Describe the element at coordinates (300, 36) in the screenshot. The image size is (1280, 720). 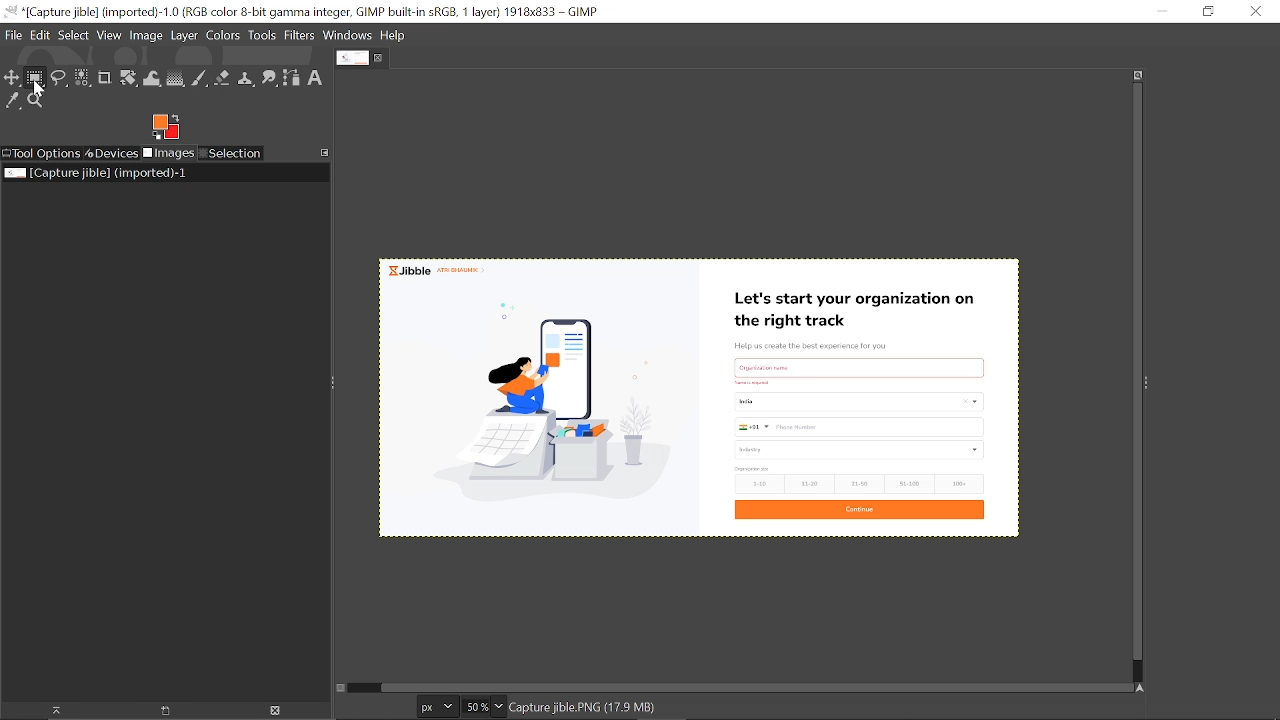
I see `Filters` at that location.